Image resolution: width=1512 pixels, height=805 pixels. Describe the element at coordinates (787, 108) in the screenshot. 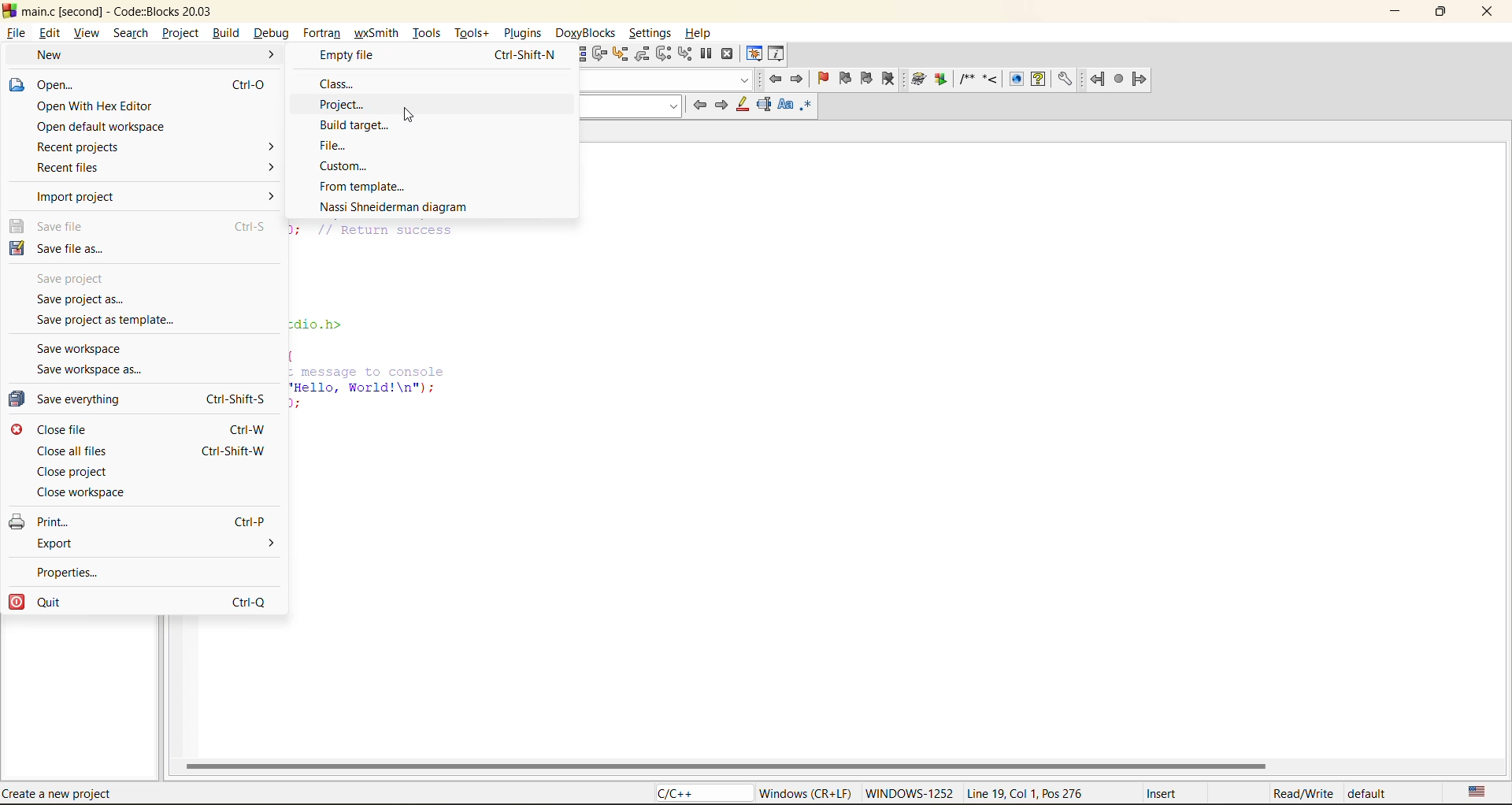

I see `match case` at that location.